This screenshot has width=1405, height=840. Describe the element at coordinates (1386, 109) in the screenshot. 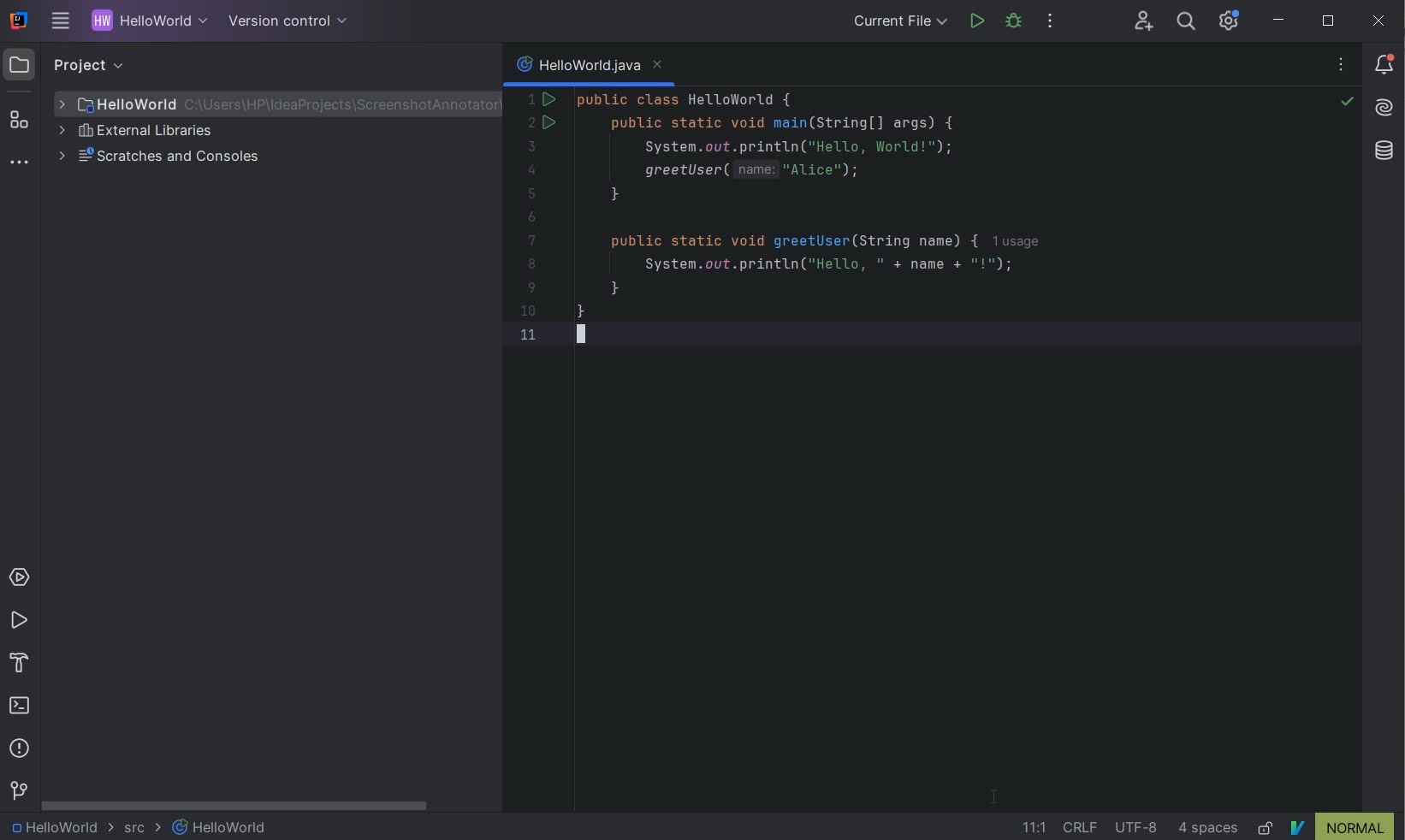

I see `AI Assistant` at that location.